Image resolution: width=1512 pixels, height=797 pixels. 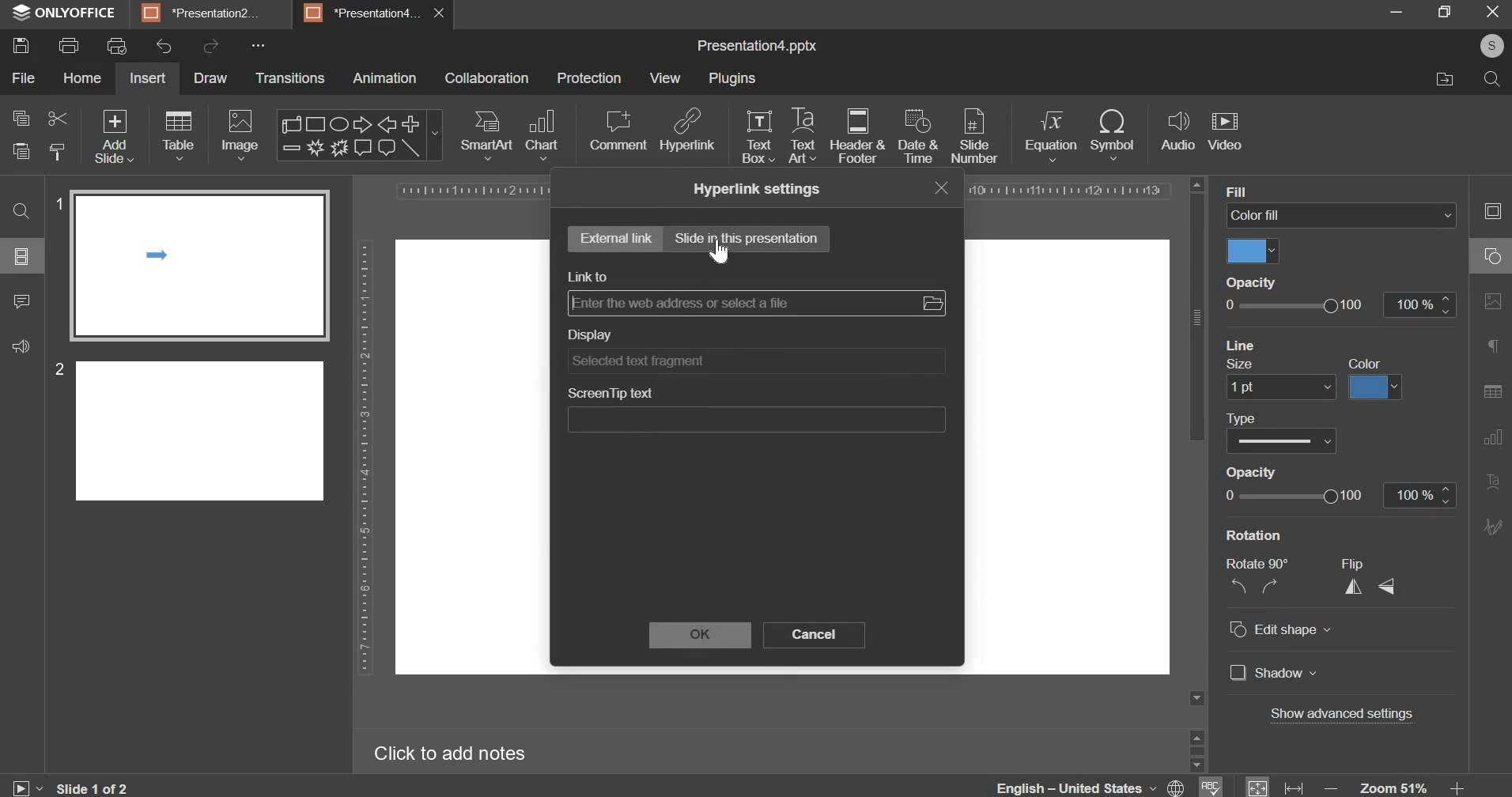 What do you see at coordinates (239, 135) in the screenshot?
I see `image` at bounding box center [239, 135].